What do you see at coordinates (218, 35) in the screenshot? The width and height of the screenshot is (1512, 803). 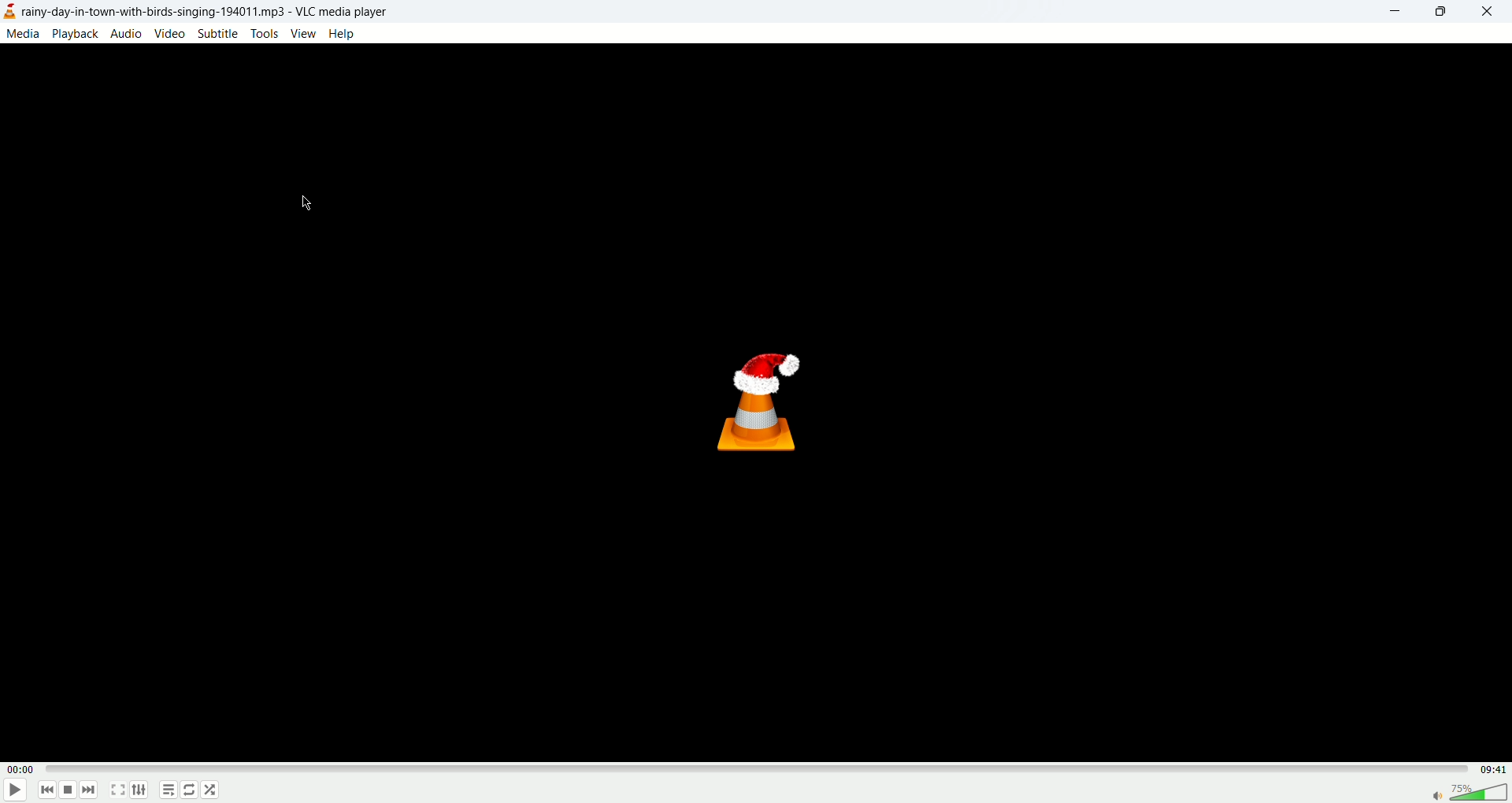 I see `subtitle` at bounding box center [218, 35].